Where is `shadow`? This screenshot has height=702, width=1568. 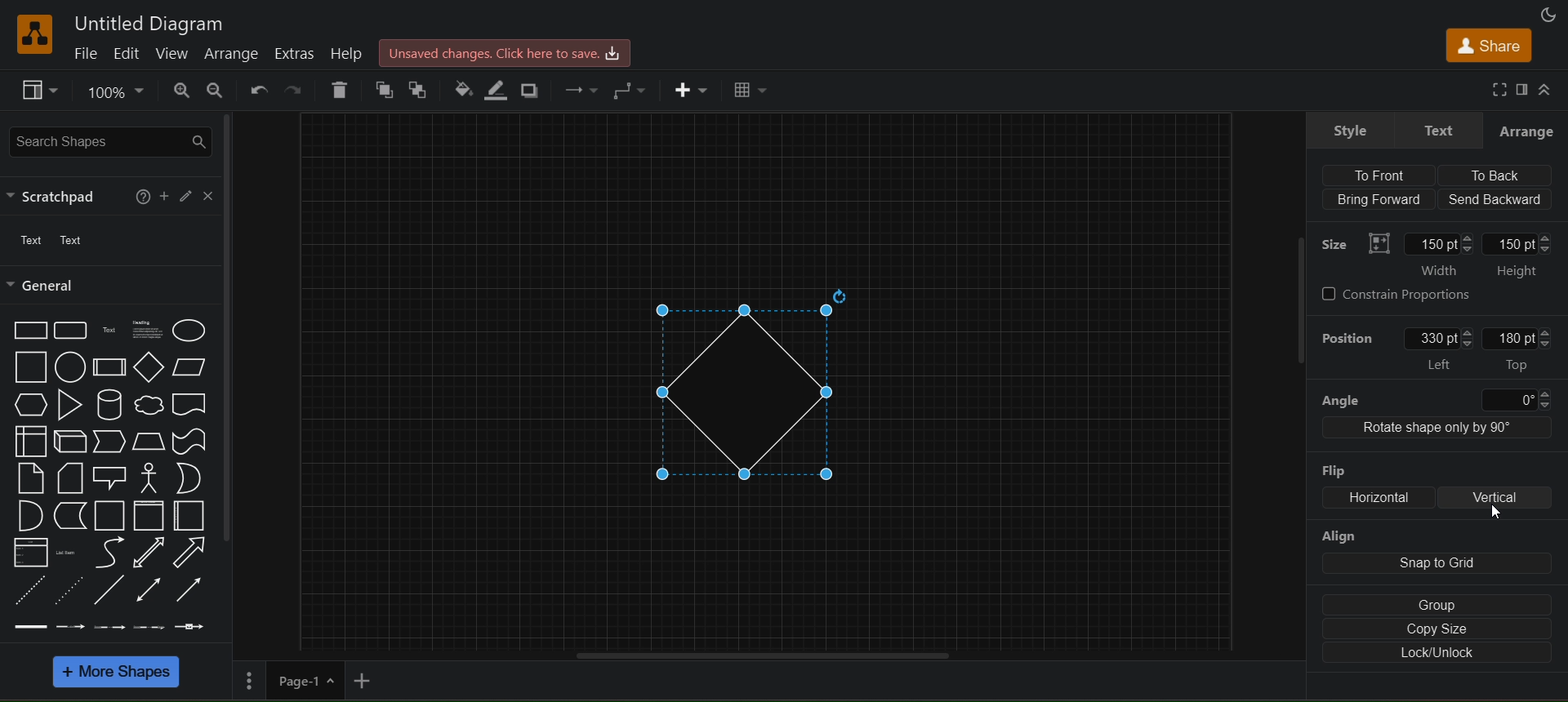
shadow is located at coordinates (532, 90).